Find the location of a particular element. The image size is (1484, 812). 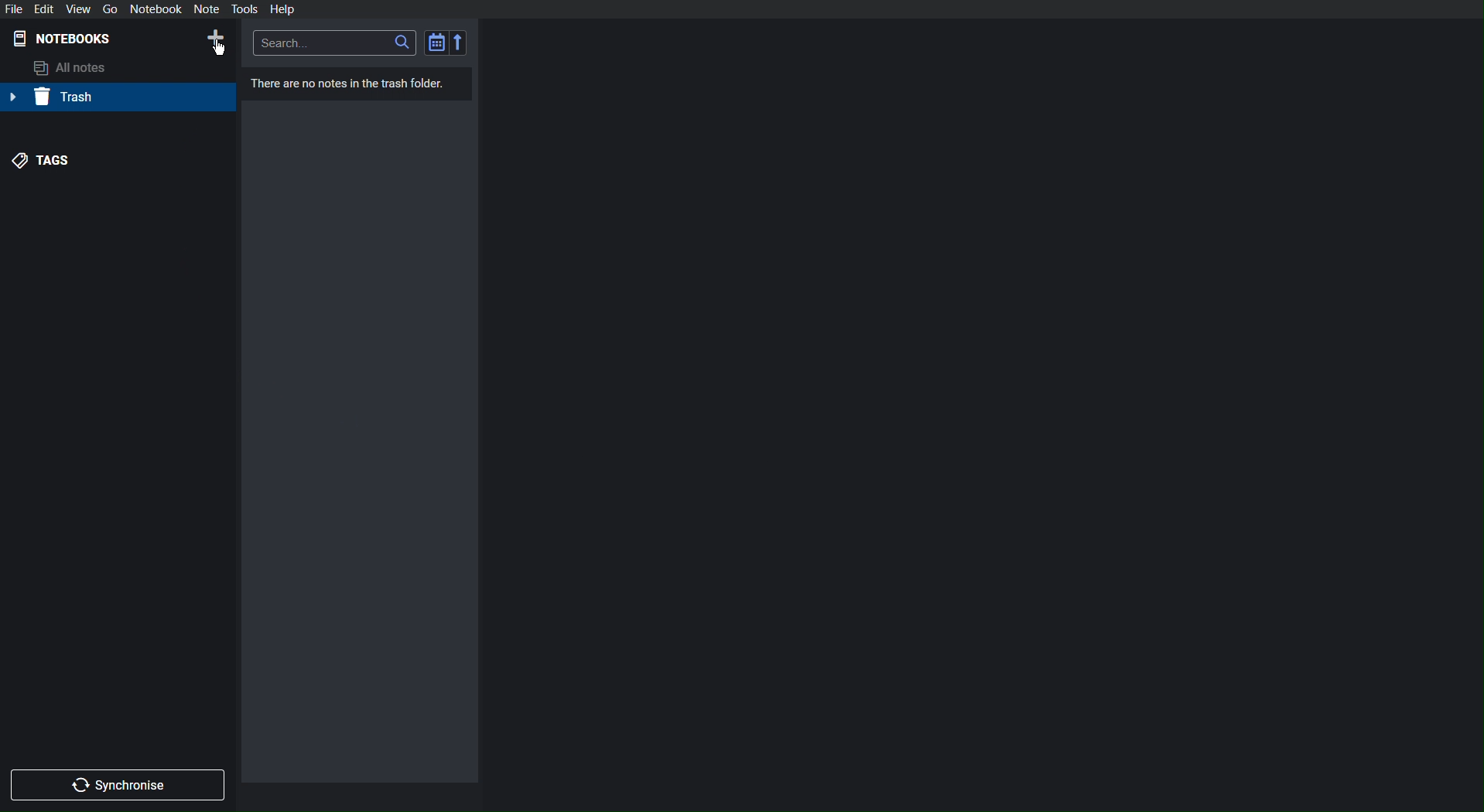

All notes is located at coordinates (68, 68).